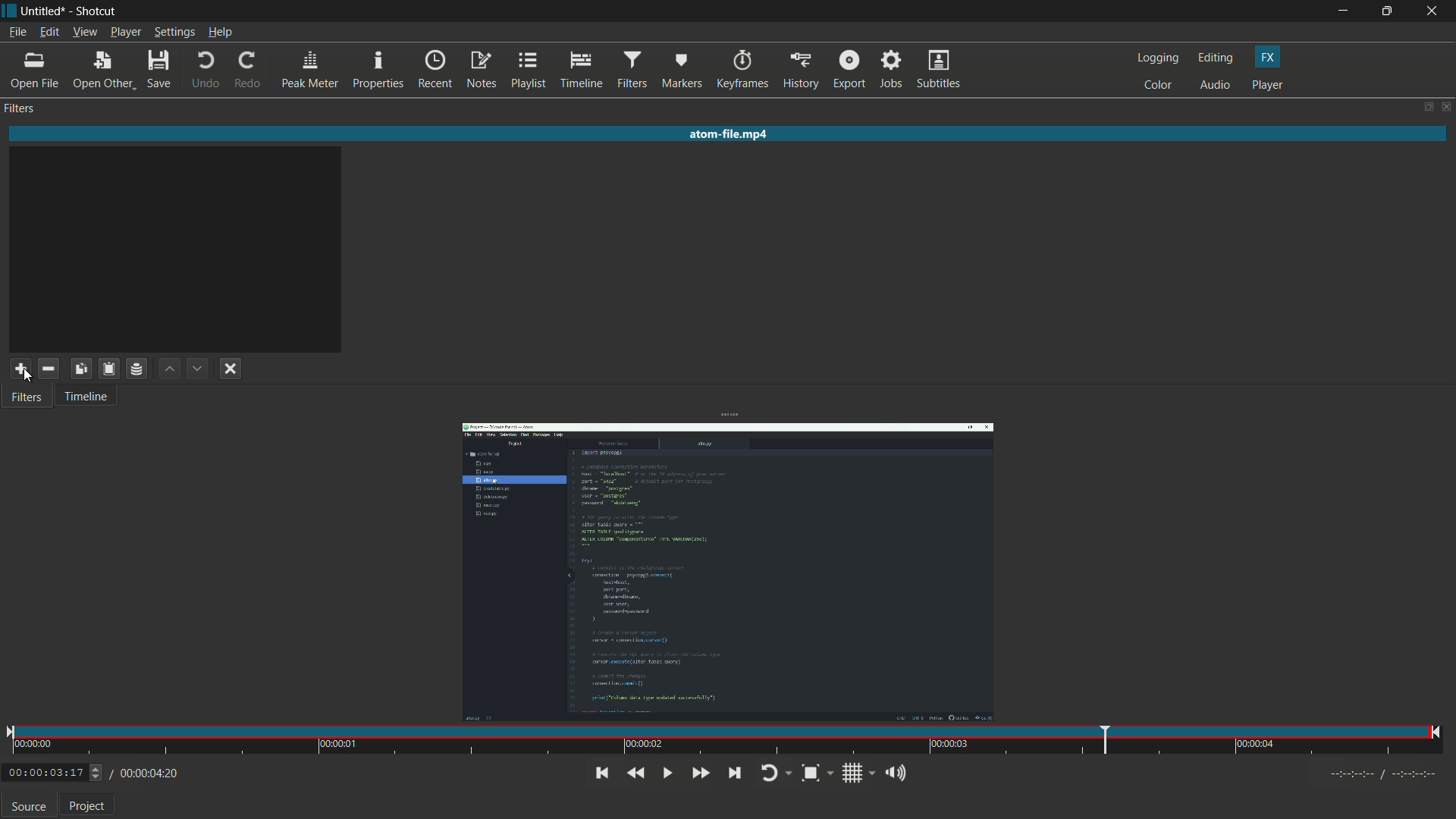 The image size is (1456, 819). I want to click on settings menu, so click(174, 32).